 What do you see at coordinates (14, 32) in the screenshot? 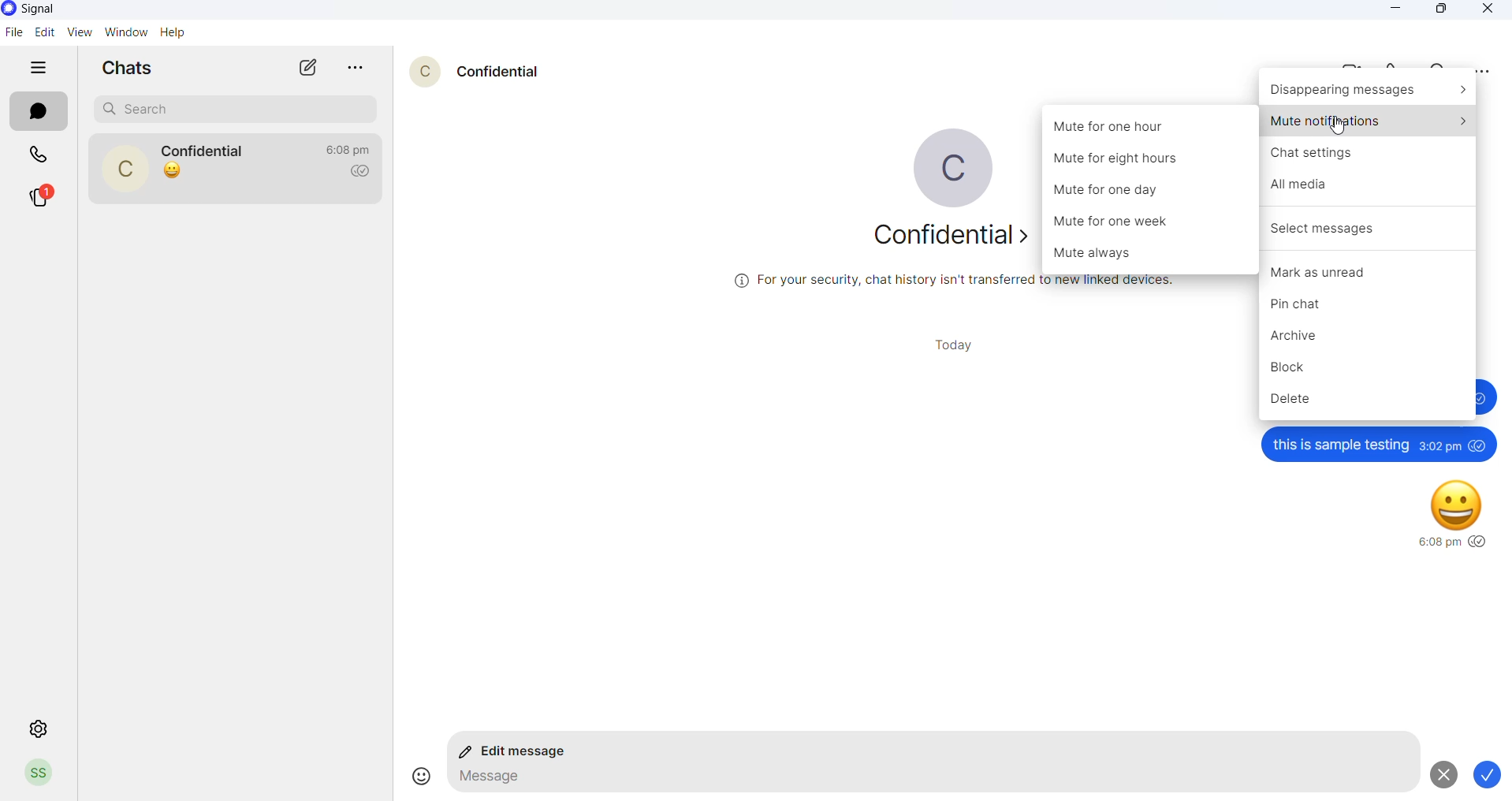
I see `file` at bounding box center [14, 32].